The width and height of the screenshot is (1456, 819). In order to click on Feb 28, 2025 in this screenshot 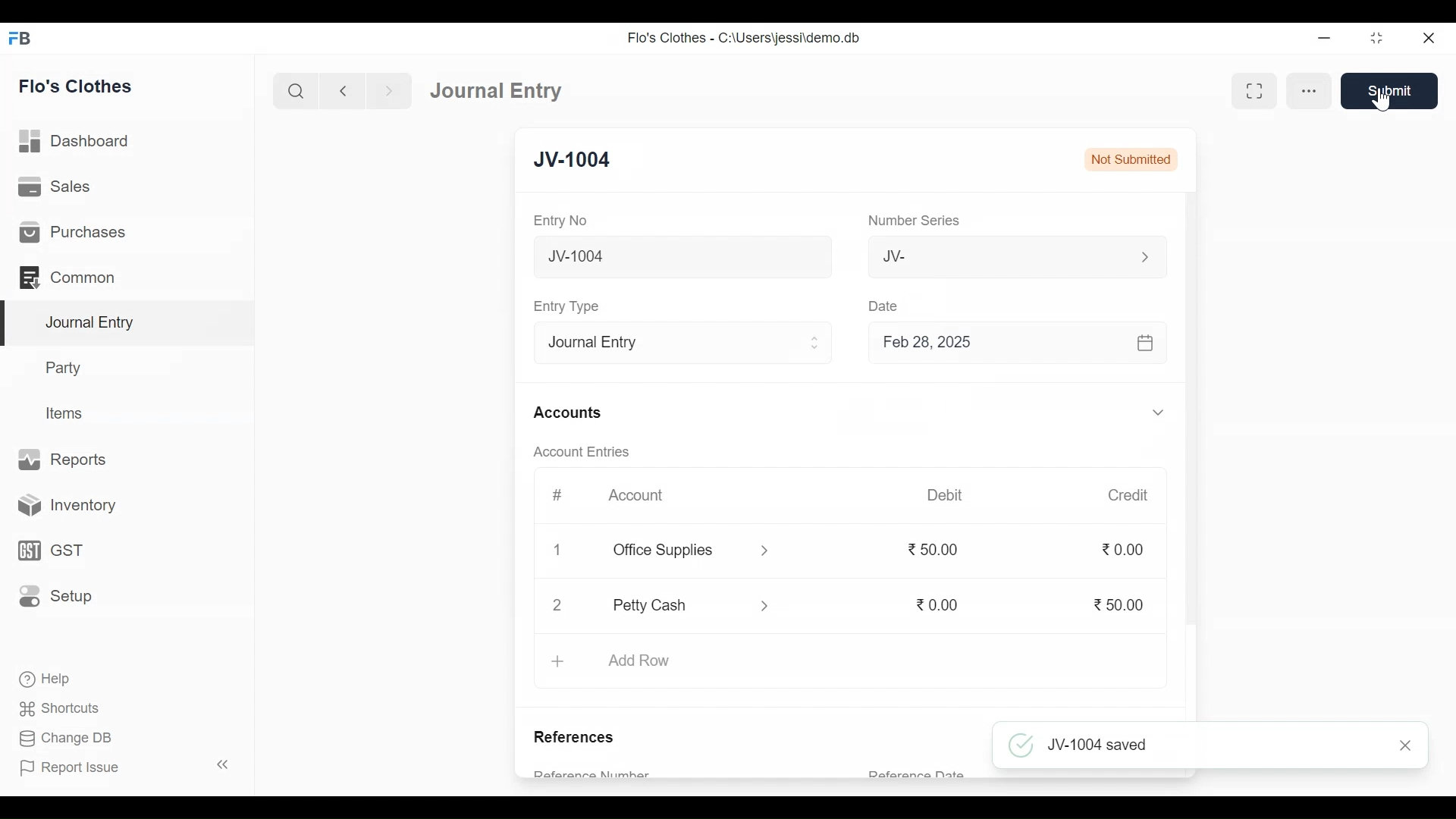, I will do `click(1011, 345)`.